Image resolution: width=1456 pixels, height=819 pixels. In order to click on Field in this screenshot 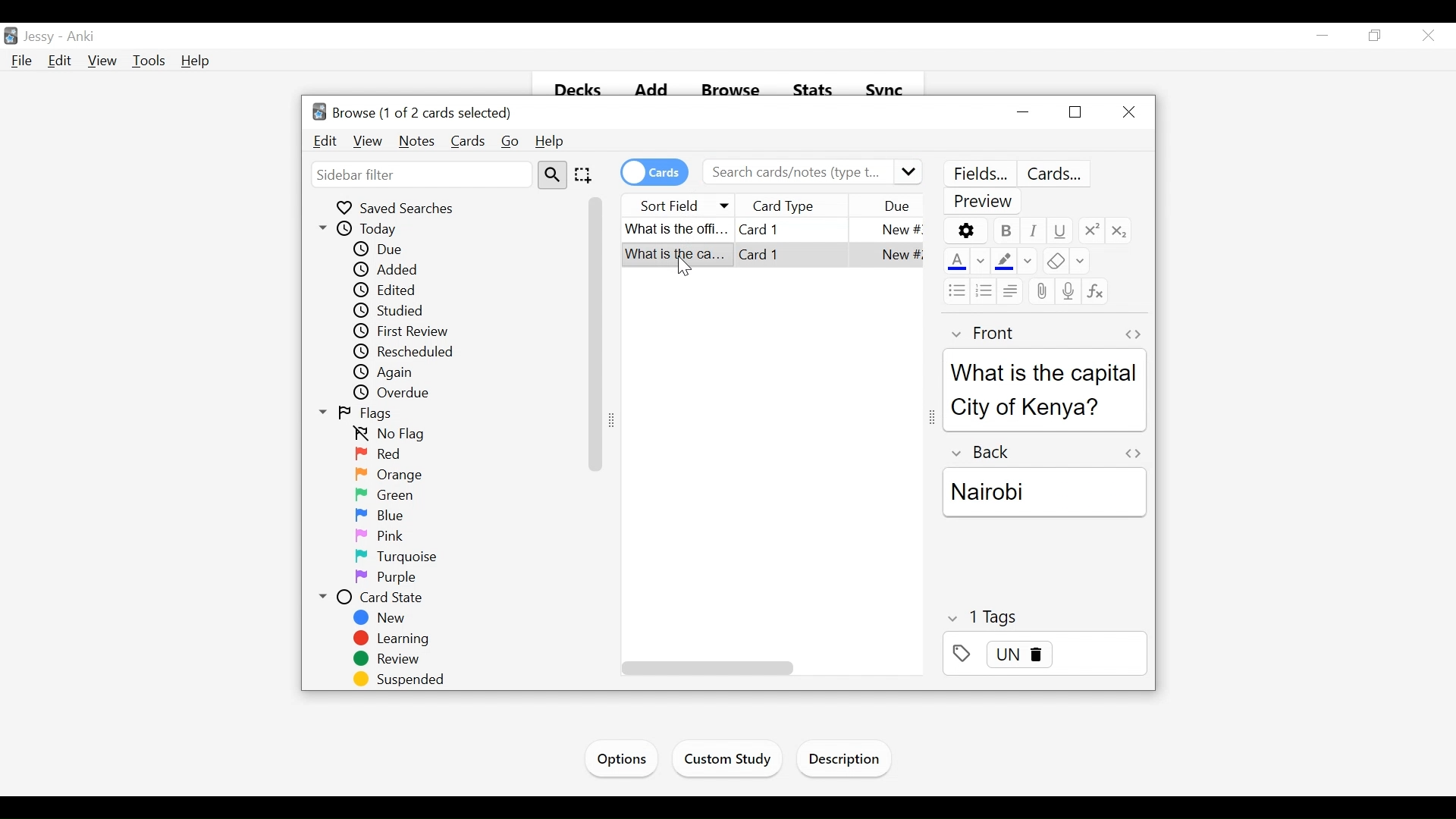, I will do `click(981, 334)`.